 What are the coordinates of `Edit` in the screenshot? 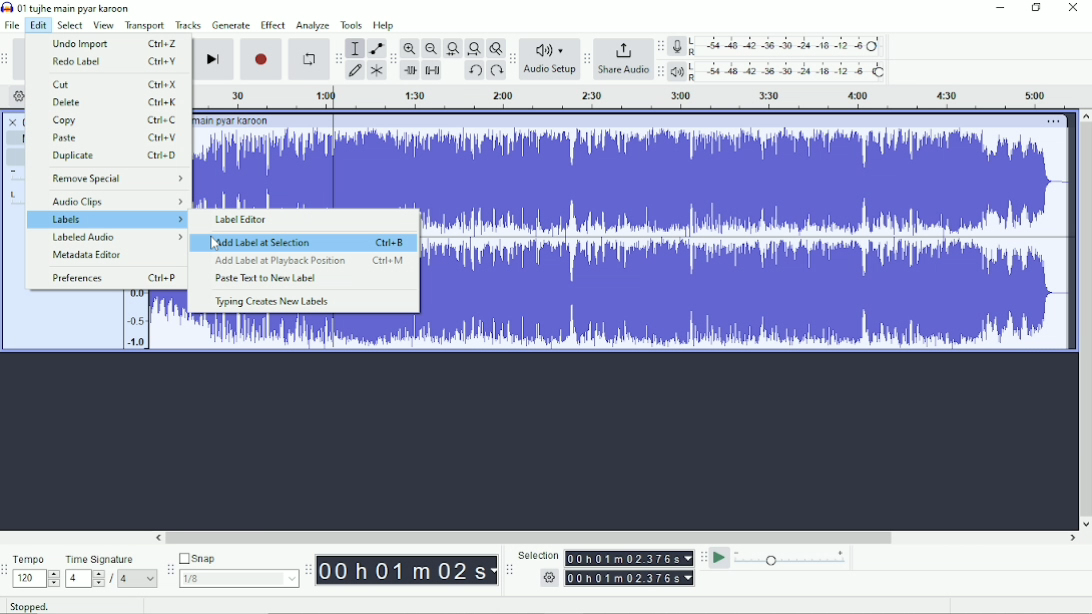 It's located at (38, 26).